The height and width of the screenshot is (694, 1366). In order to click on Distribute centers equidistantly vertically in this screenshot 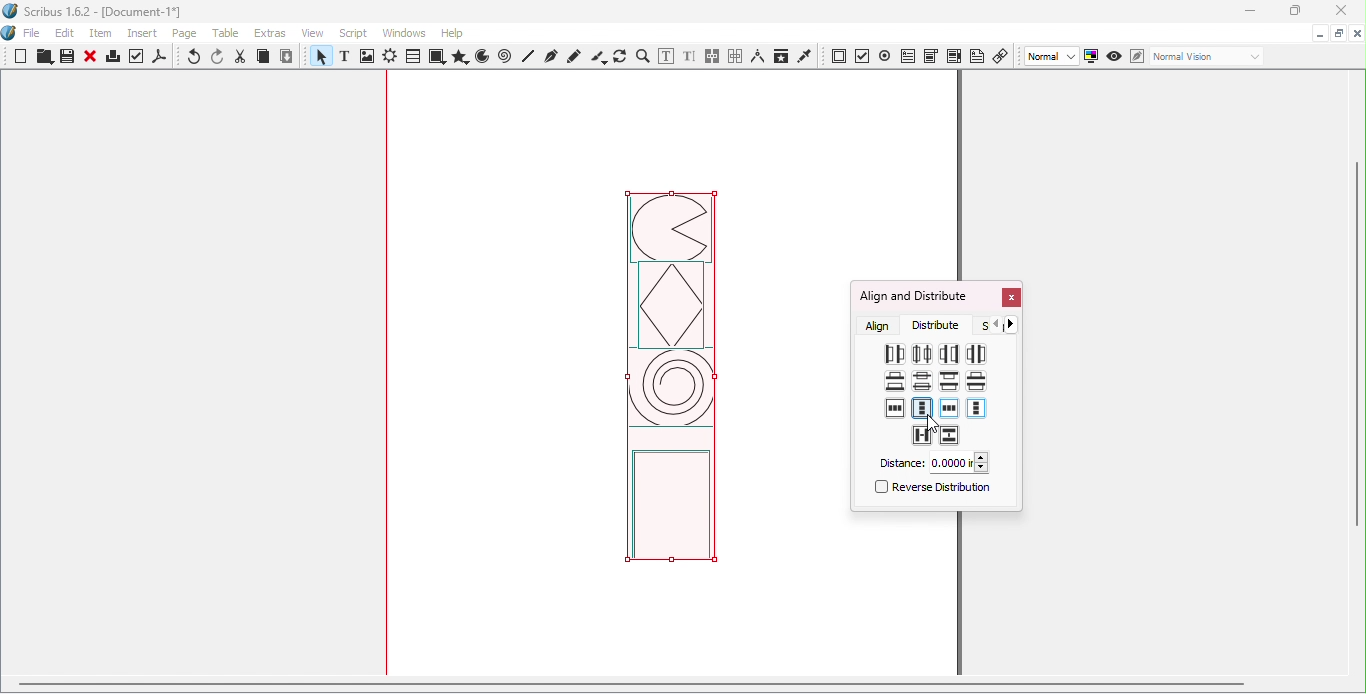, I will do `click(921, 383)`.